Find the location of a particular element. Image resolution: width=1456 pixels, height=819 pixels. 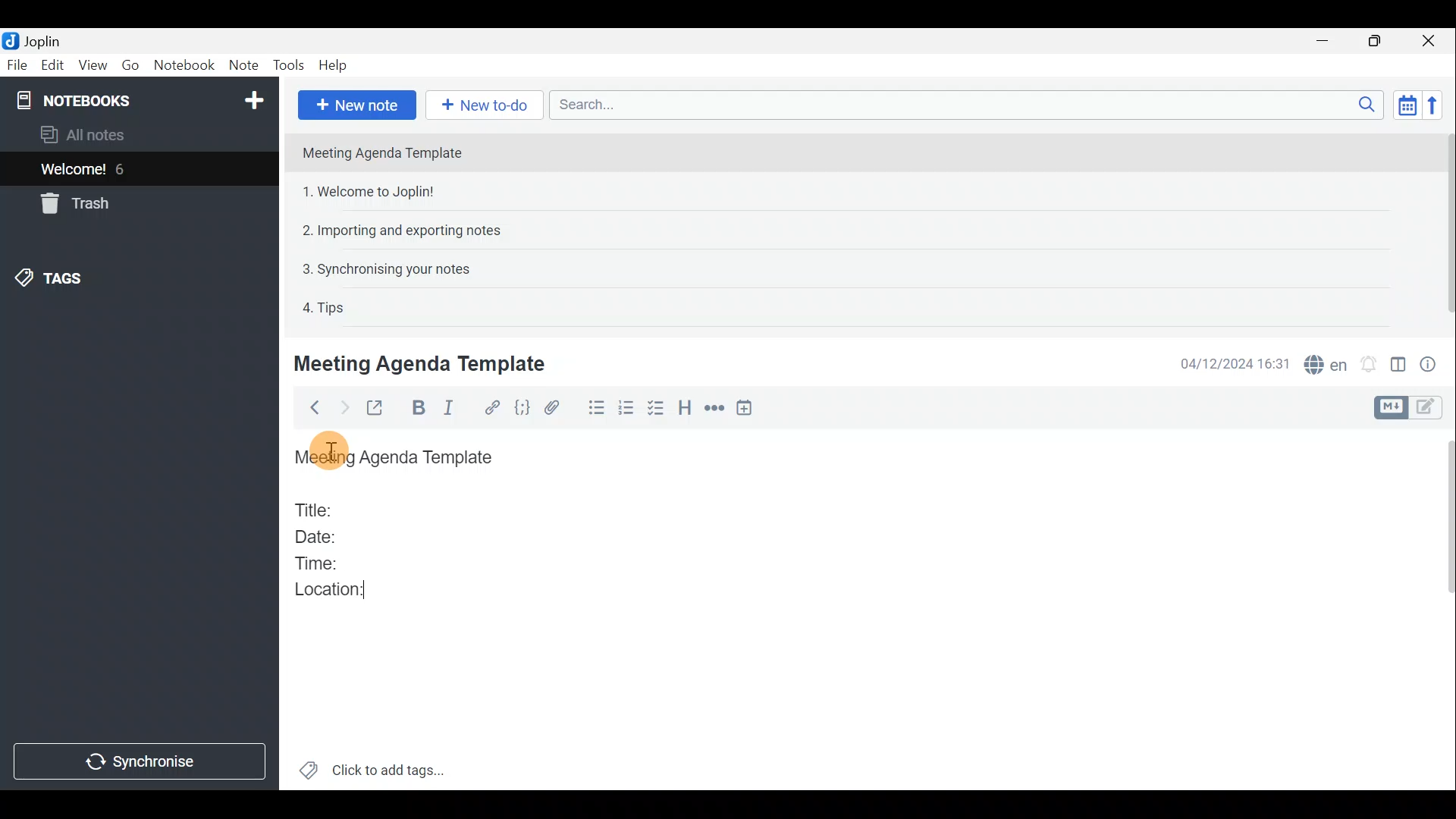

1. Welcome to Joplin! is located at coordinates (373, 191).